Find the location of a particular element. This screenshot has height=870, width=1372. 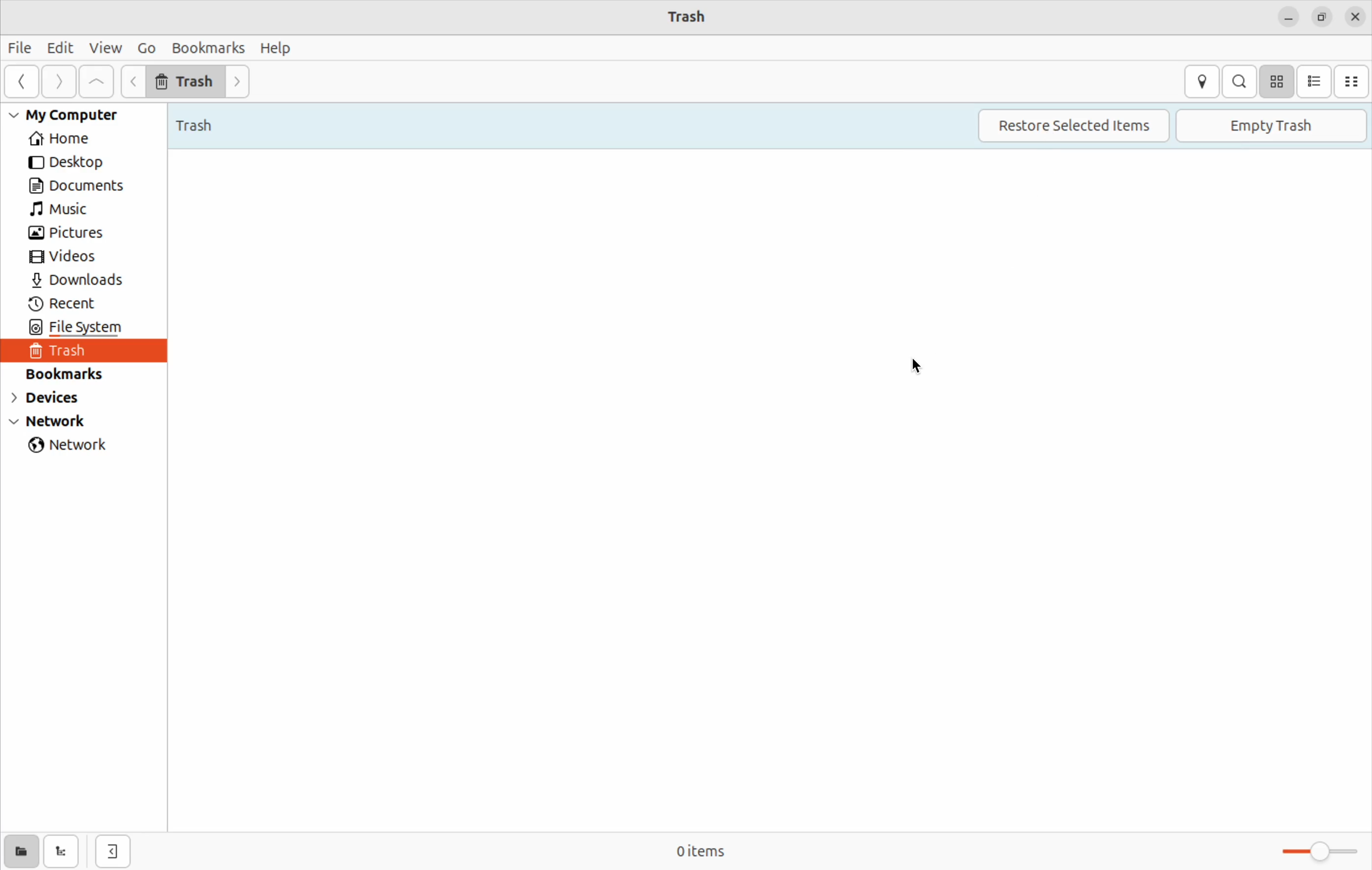

bookmarks is located at coordinates (74, 374).